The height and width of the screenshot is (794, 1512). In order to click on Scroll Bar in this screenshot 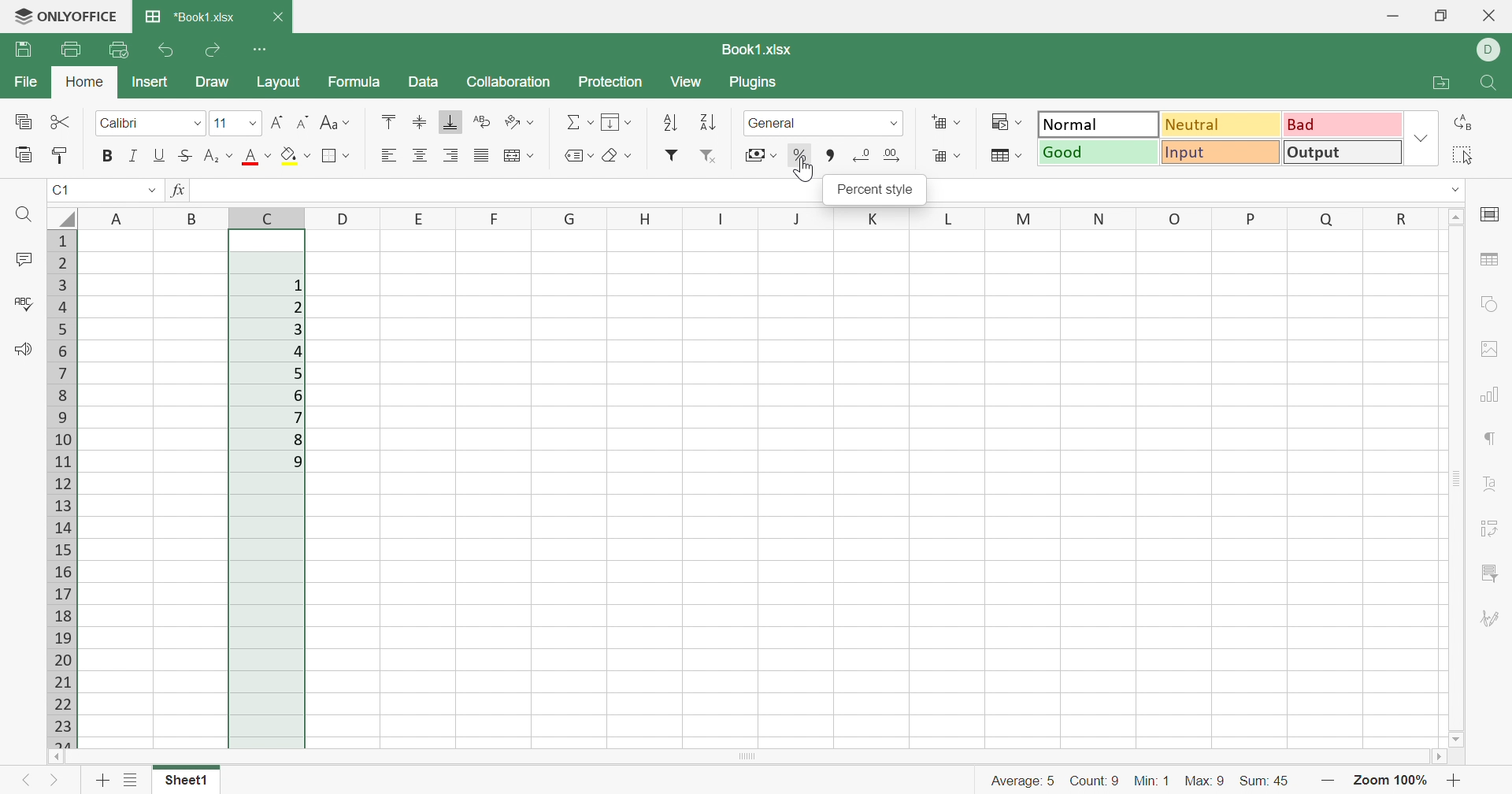, I will do `click(1458, 478)`.